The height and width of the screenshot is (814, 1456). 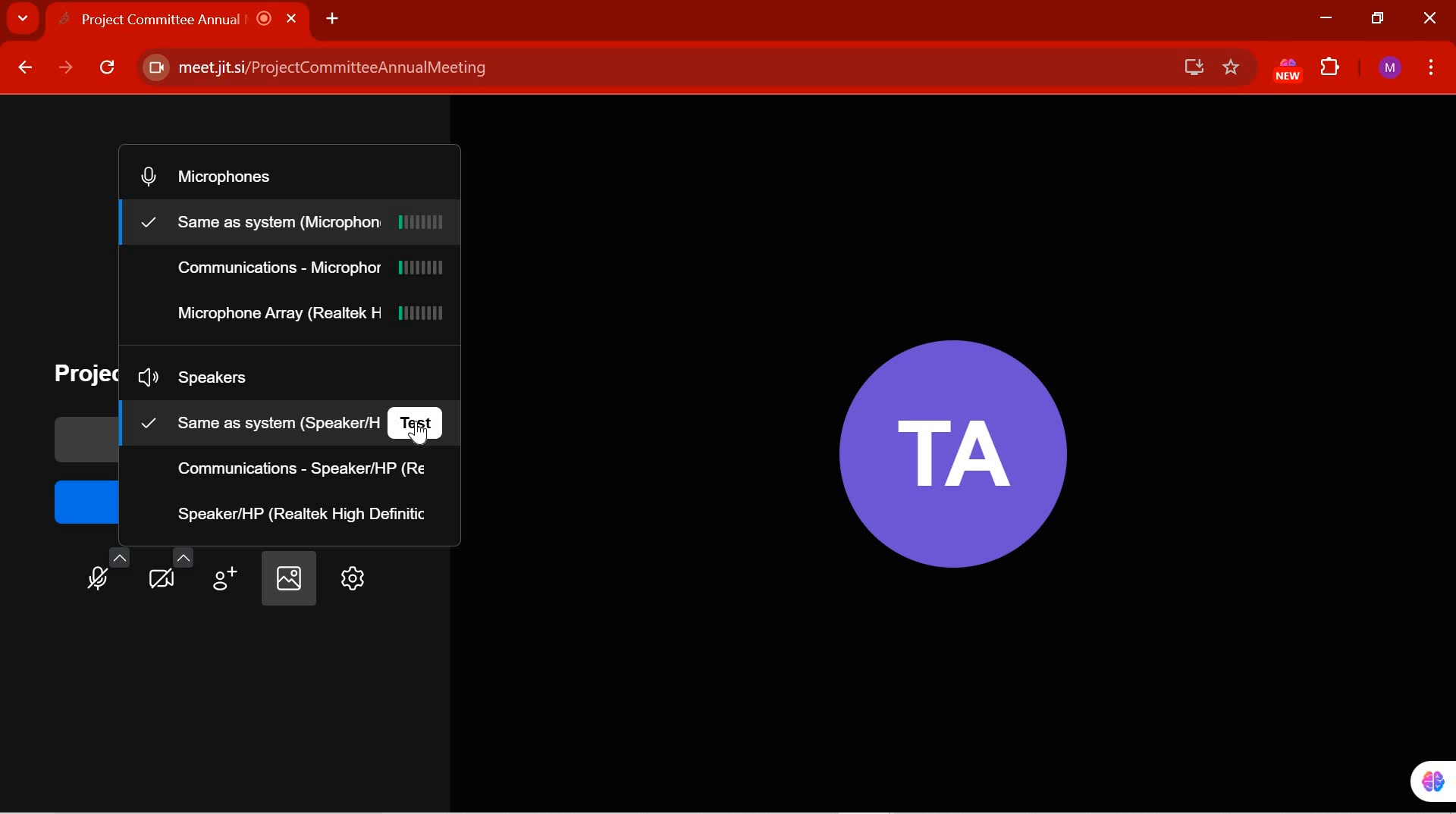 I want to click on RESTORE DOWN, so click(x=1379, y=19).